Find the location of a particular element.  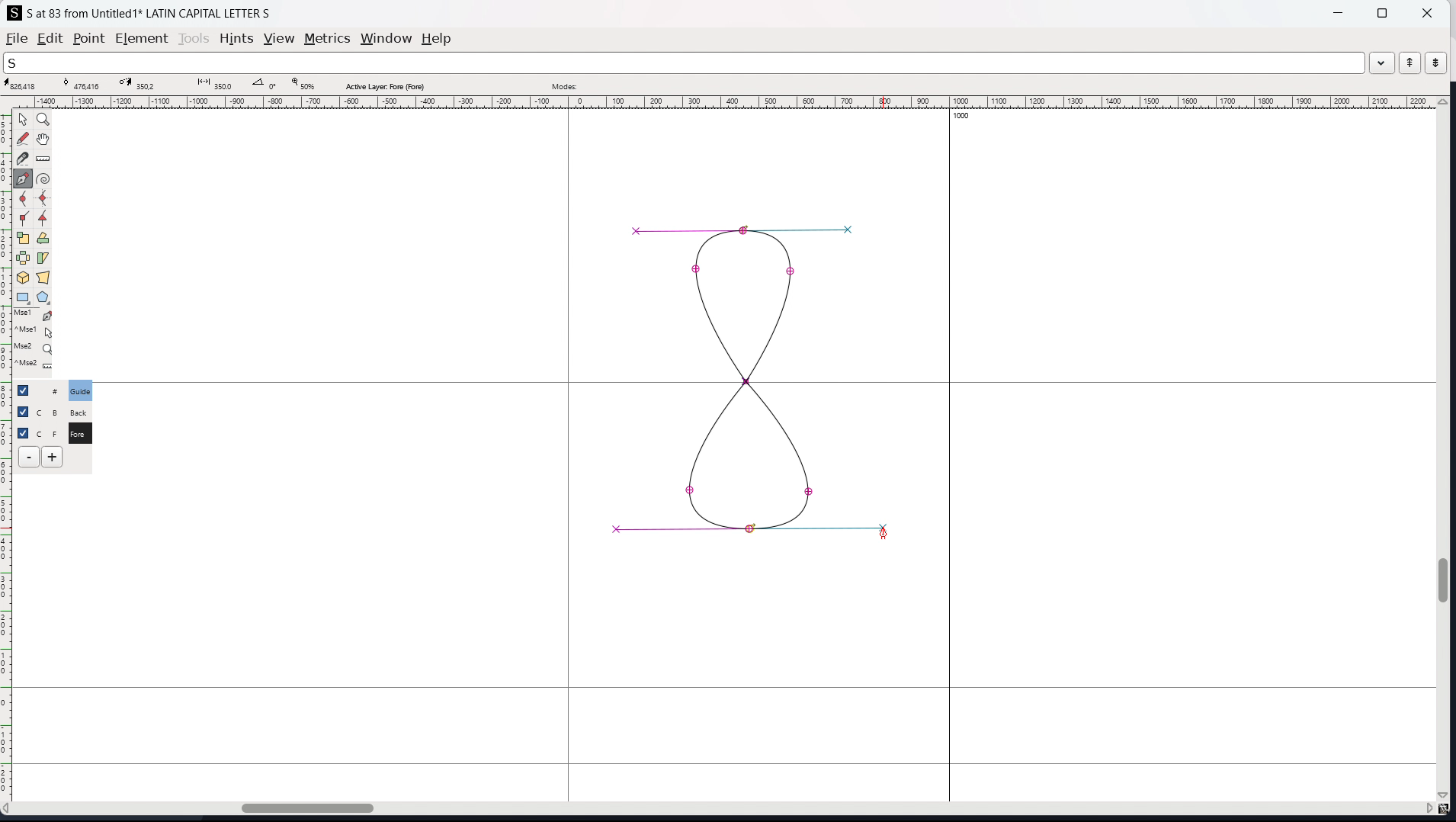

cursor is located at coordinates (883, 534).